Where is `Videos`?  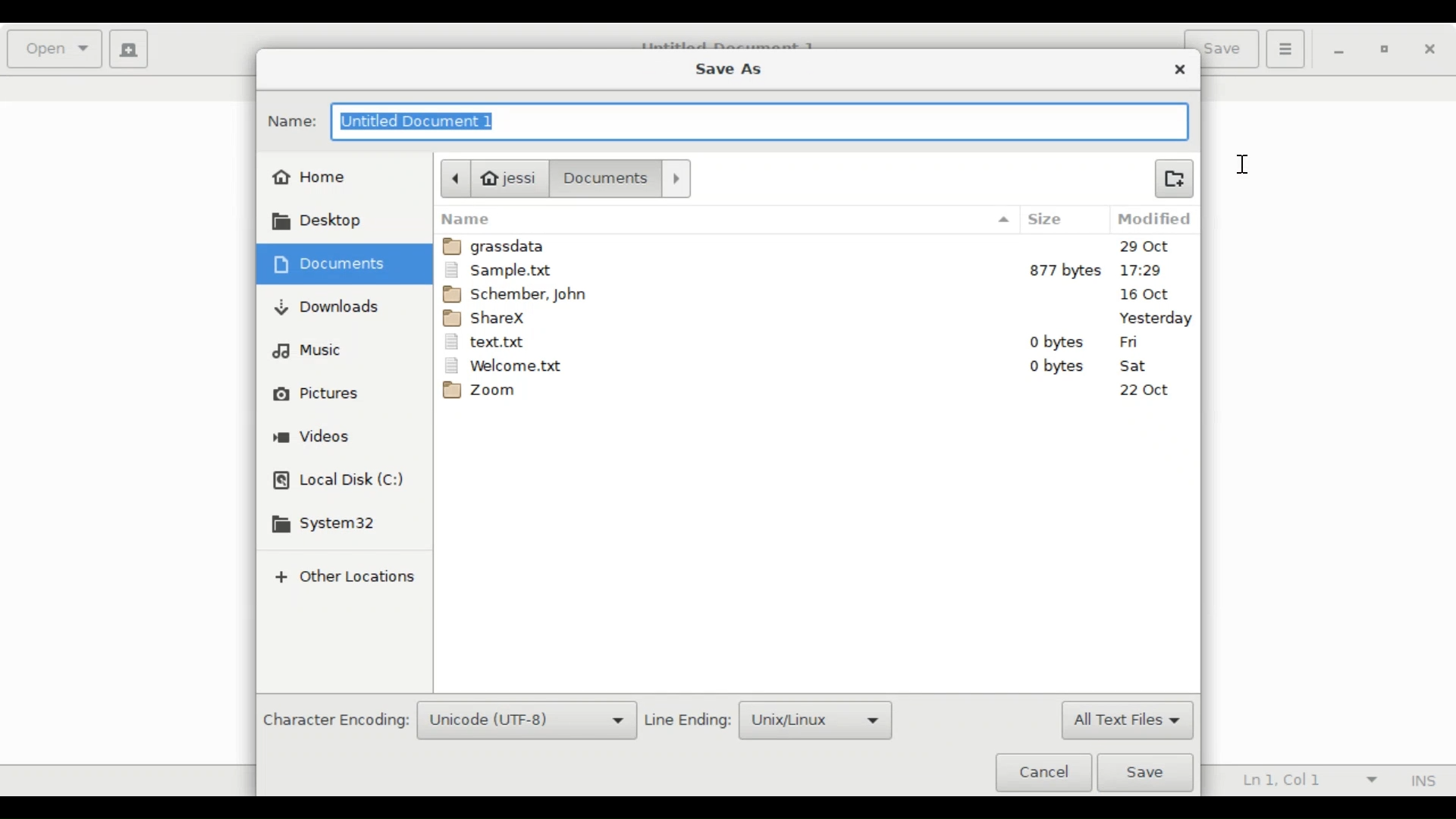
Videos is located at coordinates (313, 438).